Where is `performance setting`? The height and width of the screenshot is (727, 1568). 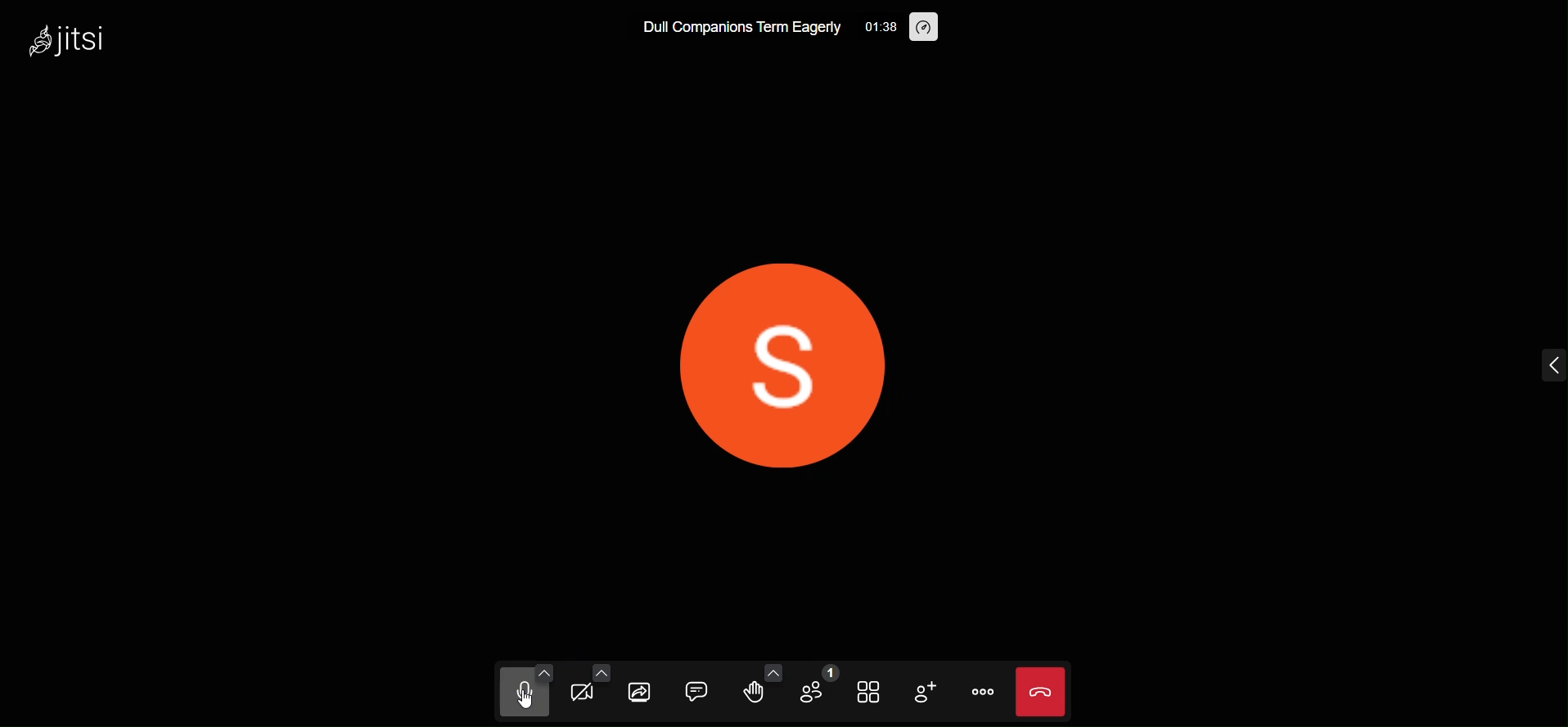
performance setting is located at coordinates (926, 29).